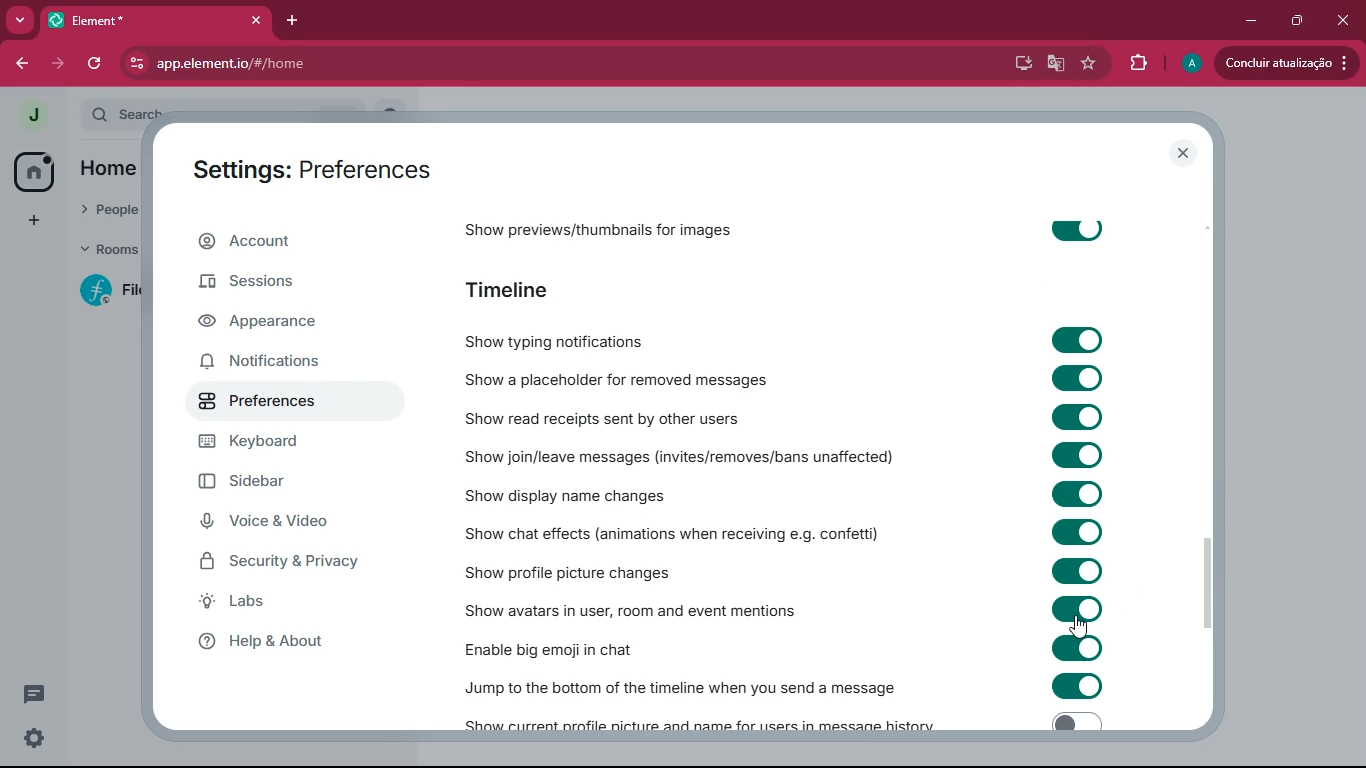 Image resolution: width=1366 pixels, height=768 pixels. Describe the element at coordinates (96, 63) in the screenshot. I see `refresh` at that location.